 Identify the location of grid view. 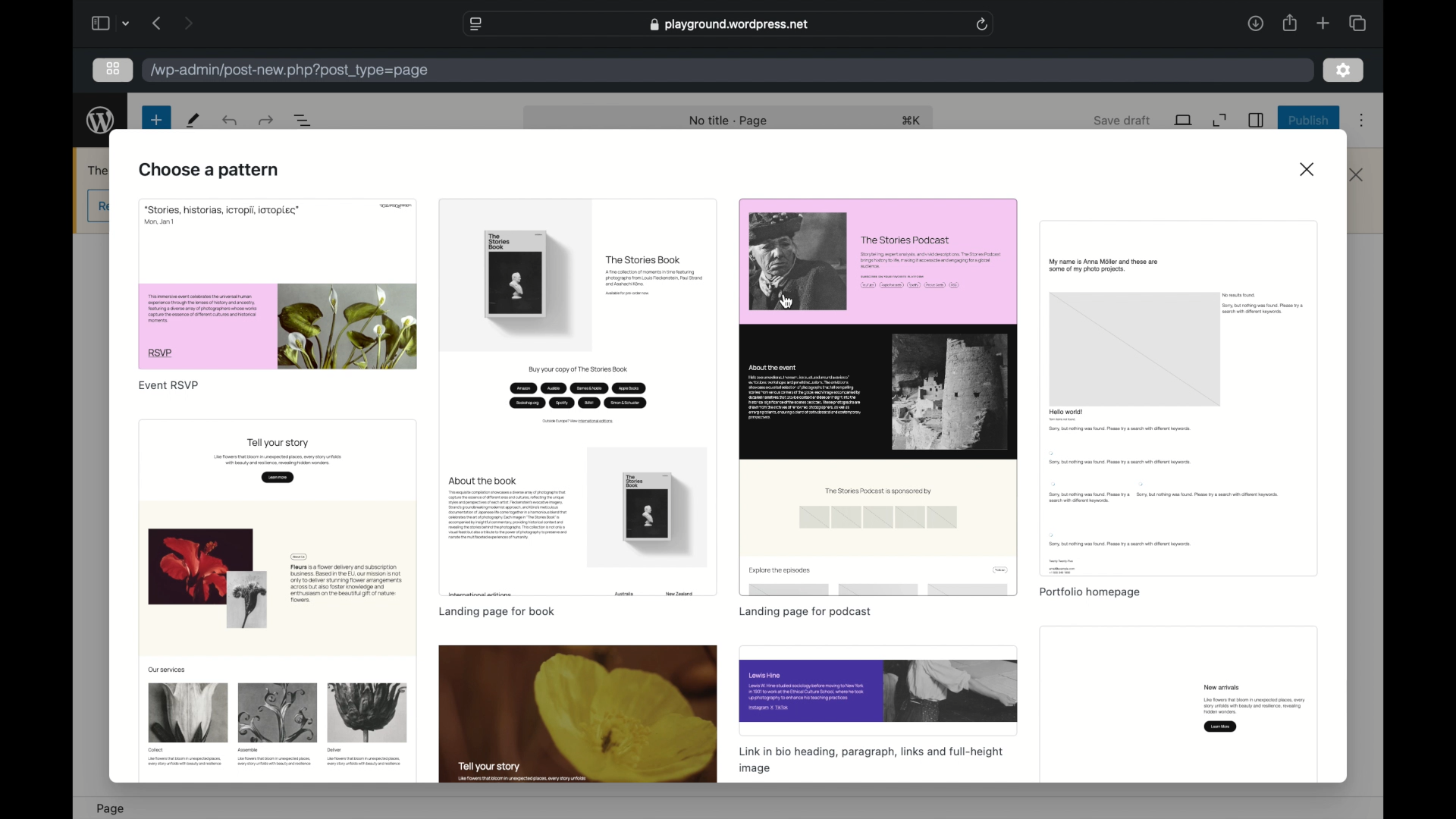
(115, 69).